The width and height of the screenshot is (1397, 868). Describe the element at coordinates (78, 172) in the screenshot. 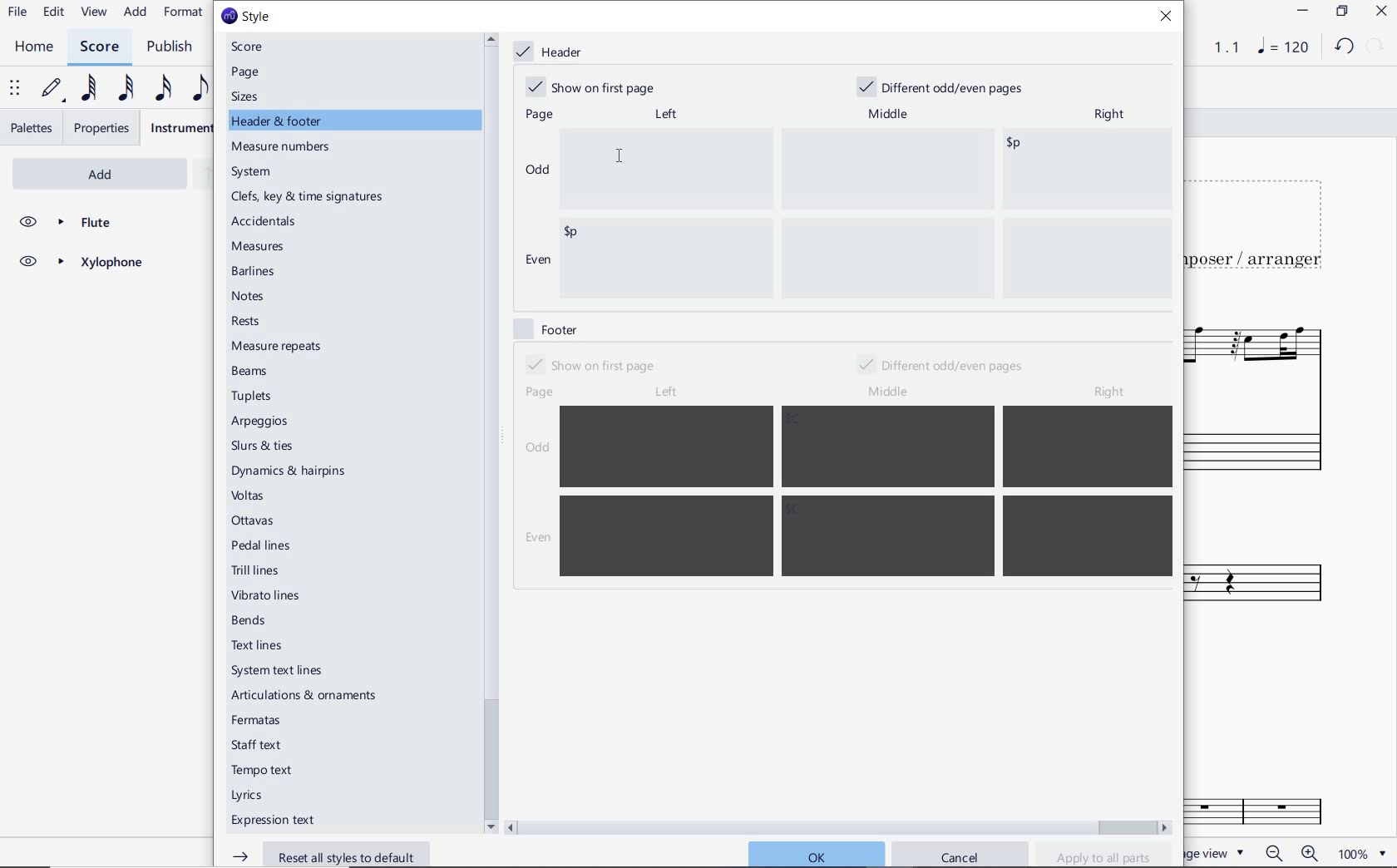

I see `ADD` at that location.